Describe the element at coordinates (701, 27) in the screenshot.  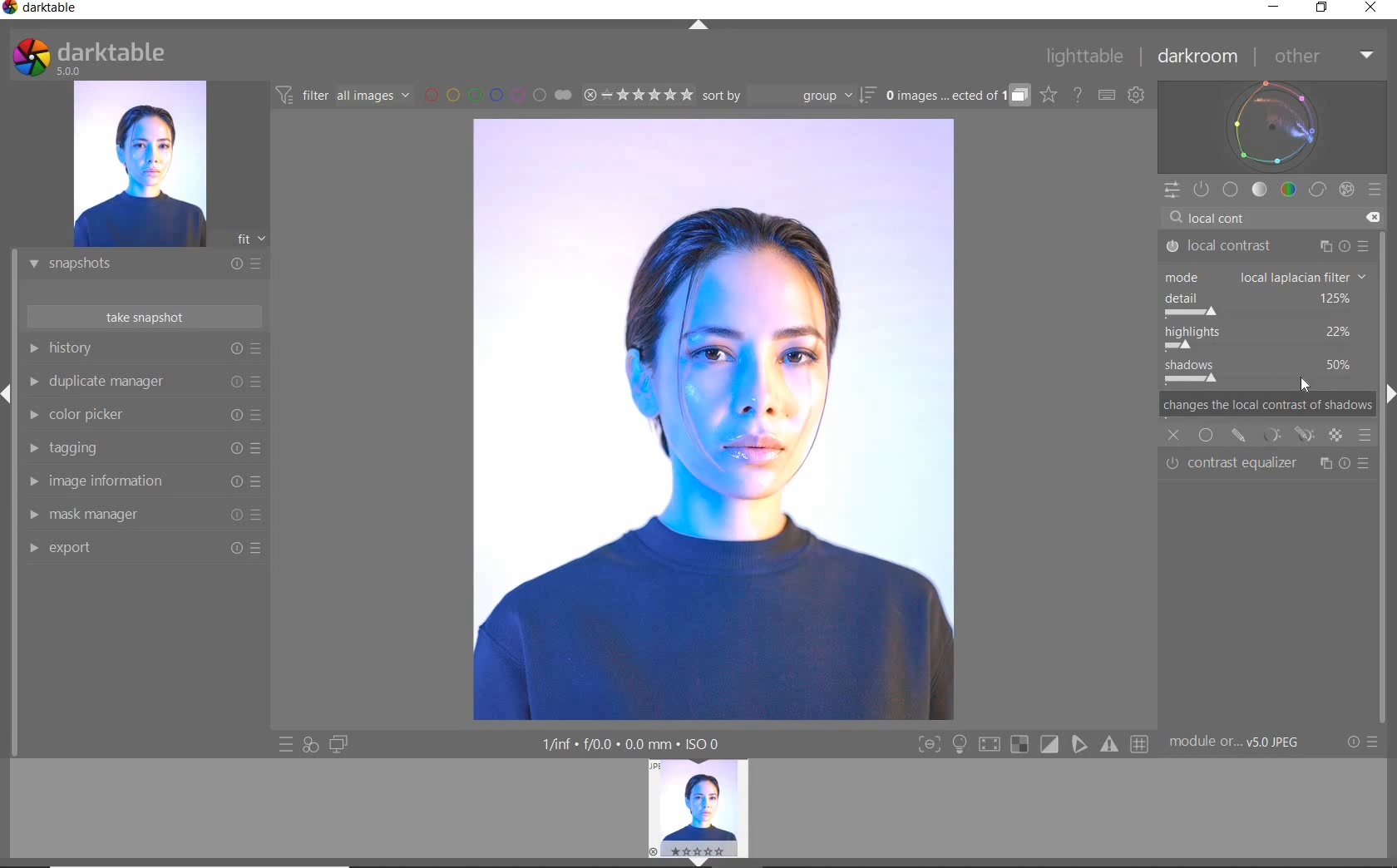
I see `EXPAND/COLLAPSE` at that location.